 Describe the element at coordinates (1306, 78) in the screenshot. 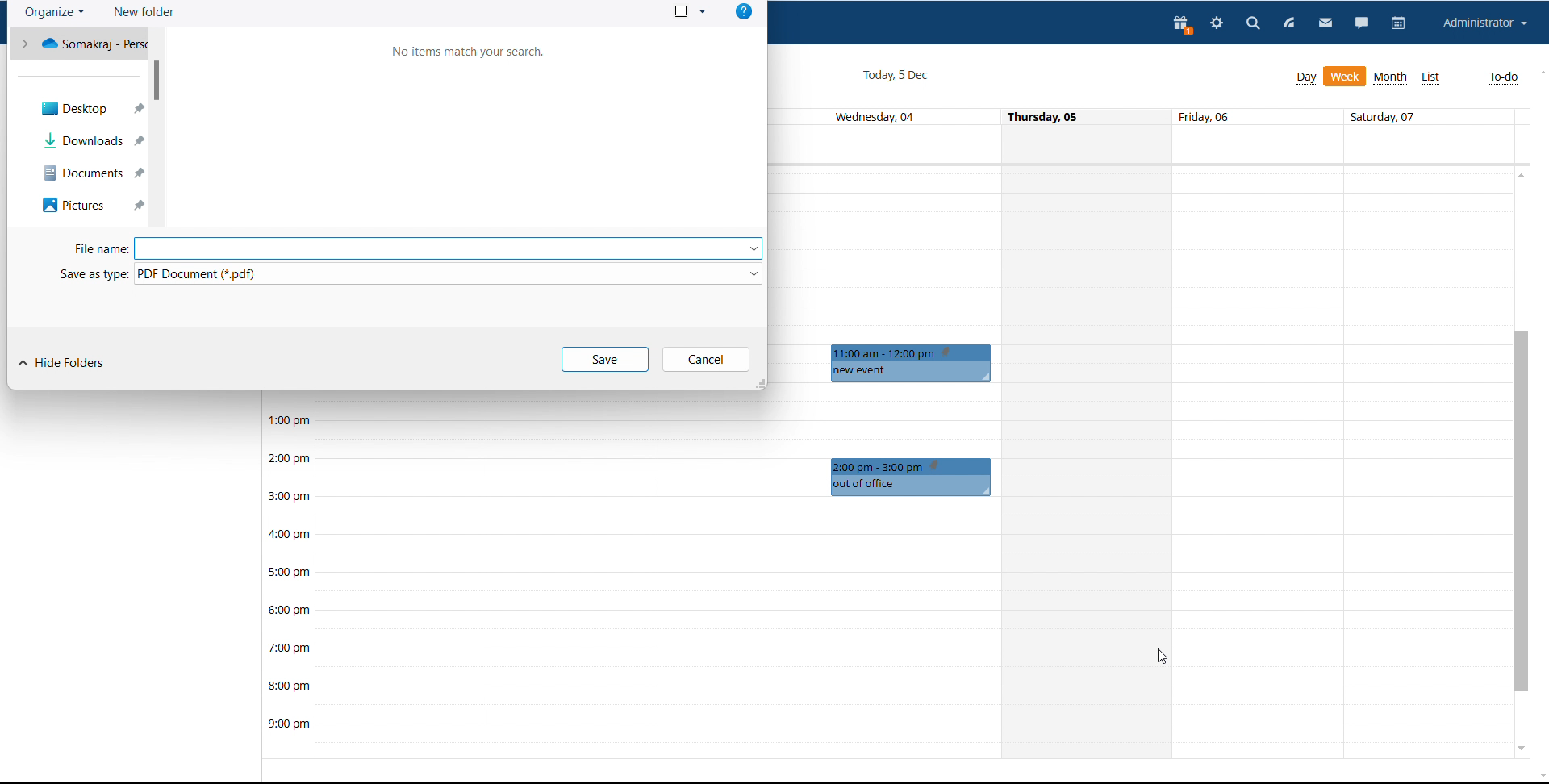

I see `day view` at that location.